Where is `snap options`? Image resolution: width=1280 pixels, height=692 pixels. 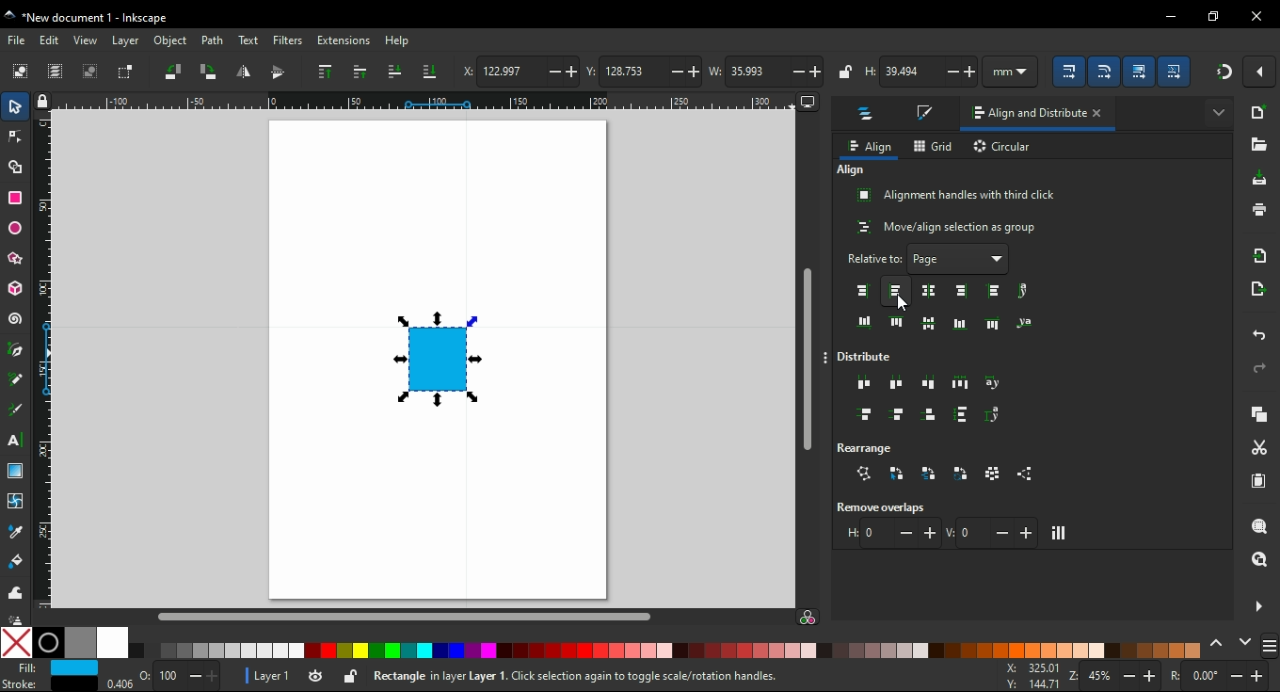 snap options is located at coordinates (1263, 70).